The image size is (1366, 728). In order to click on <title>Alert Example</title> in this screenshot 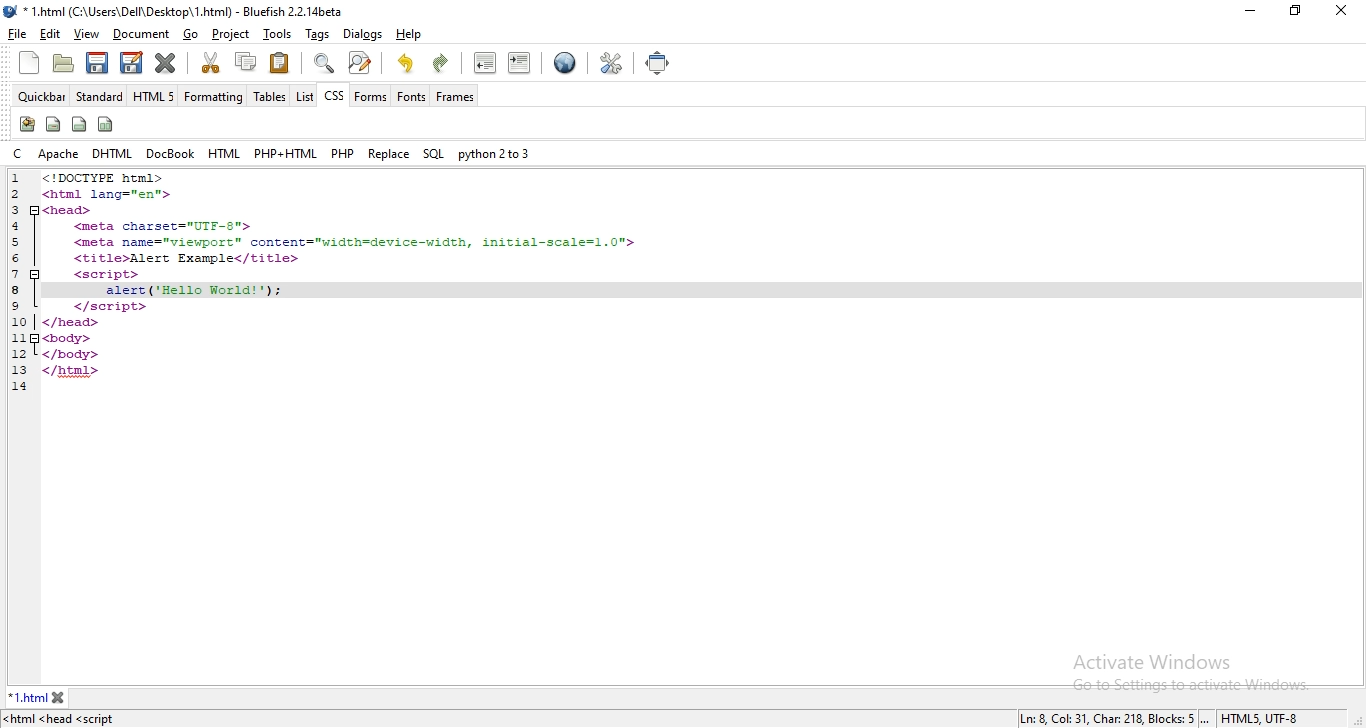, I will do `click(186, 258)`.